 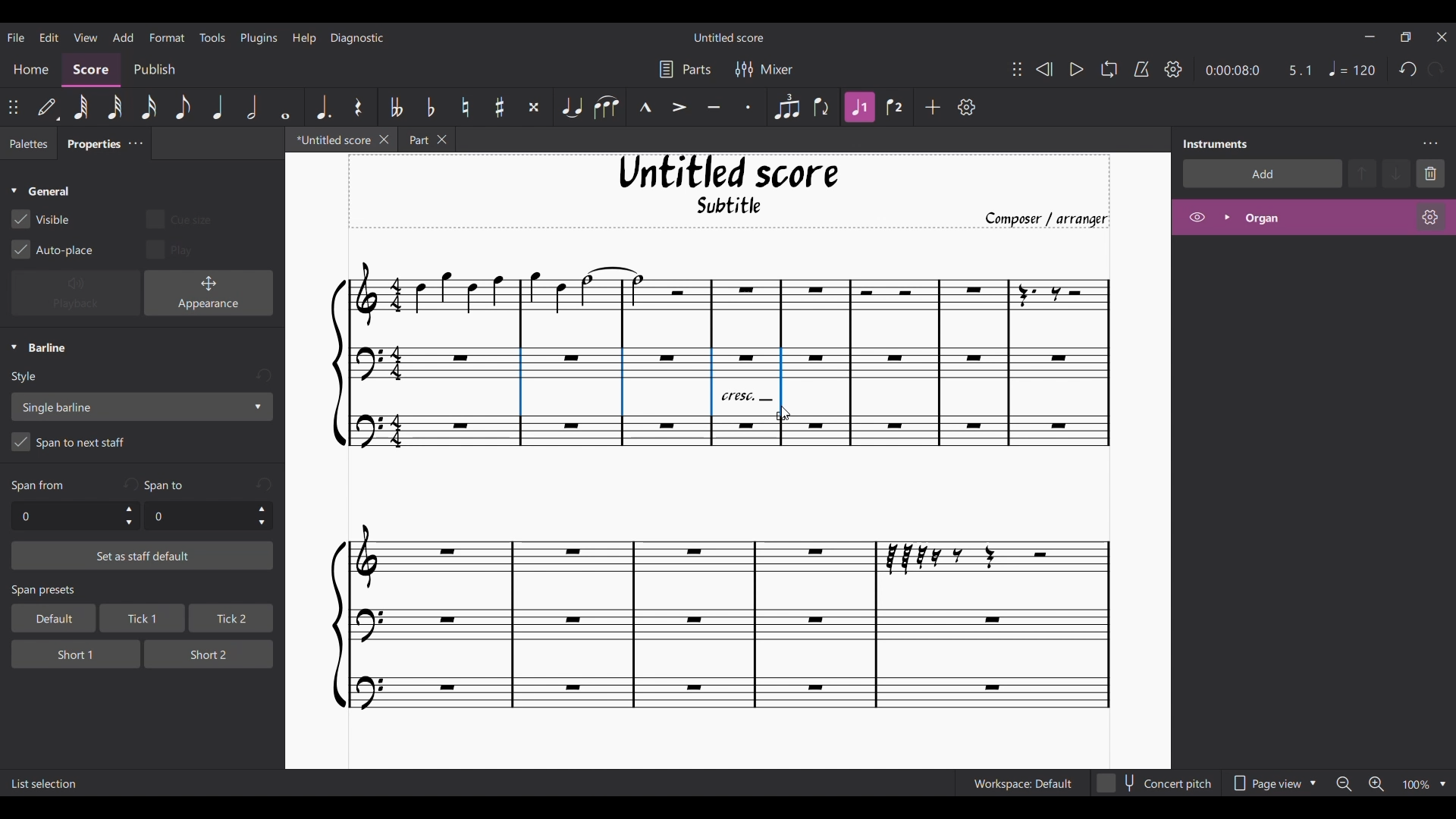 I want to click on Tempo, so click(x=1352, y=69).